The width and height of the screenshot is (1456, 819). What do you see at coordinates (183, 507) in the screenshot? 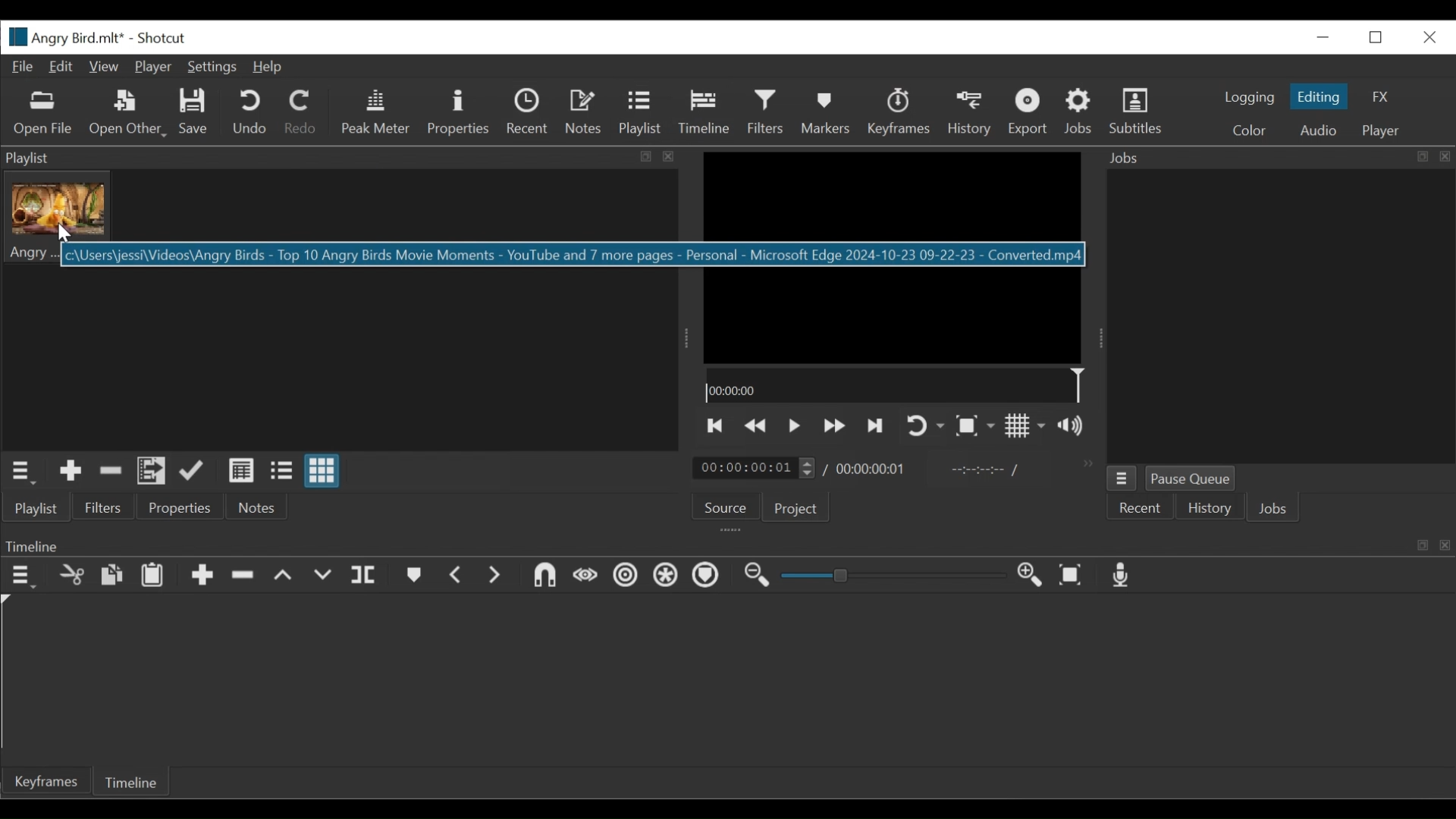
I see `Properties` at bounding box center [183, 507].